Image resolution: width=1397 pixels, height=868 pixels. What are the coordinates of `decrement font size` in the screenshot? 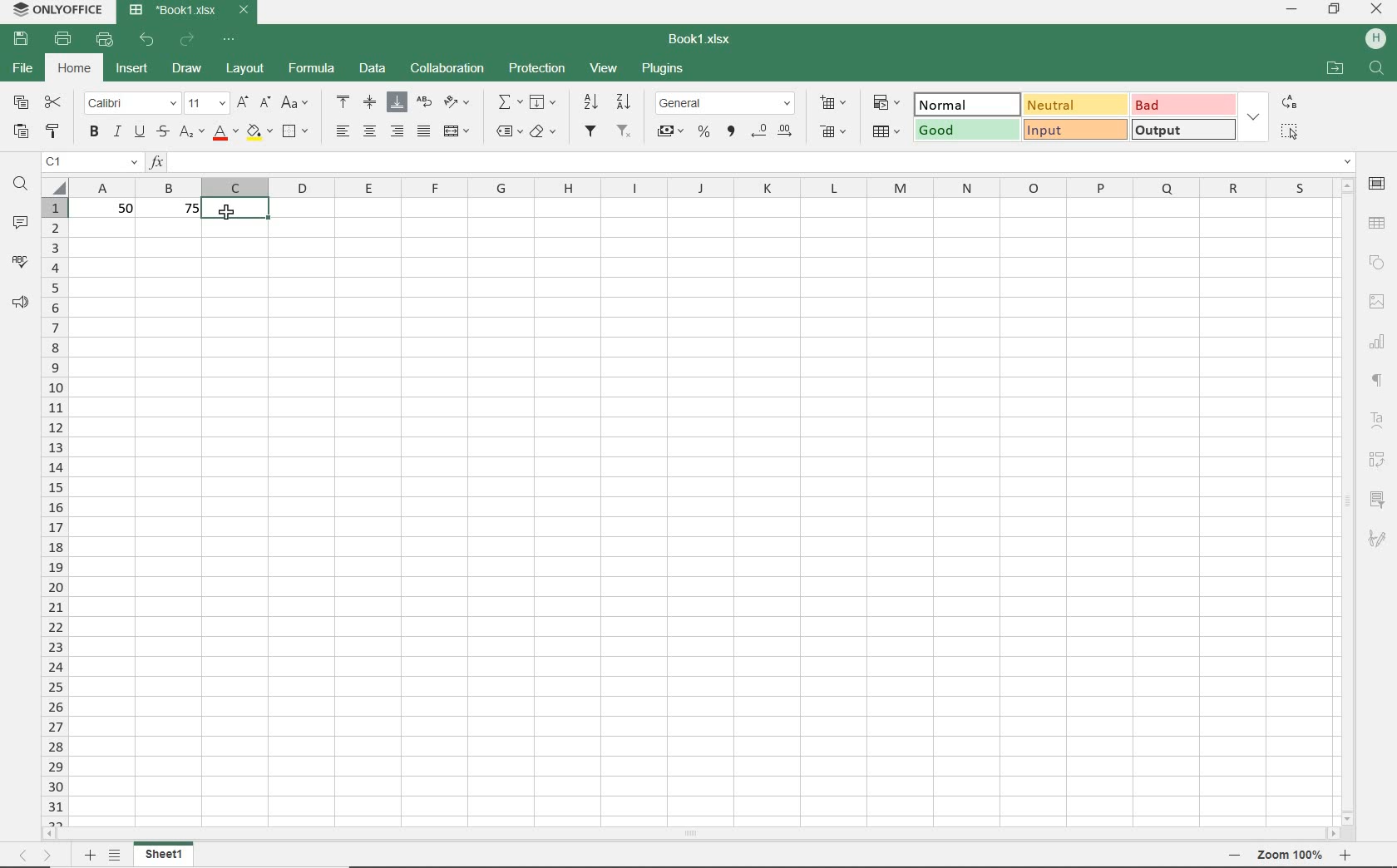 It's located at (265, 101).